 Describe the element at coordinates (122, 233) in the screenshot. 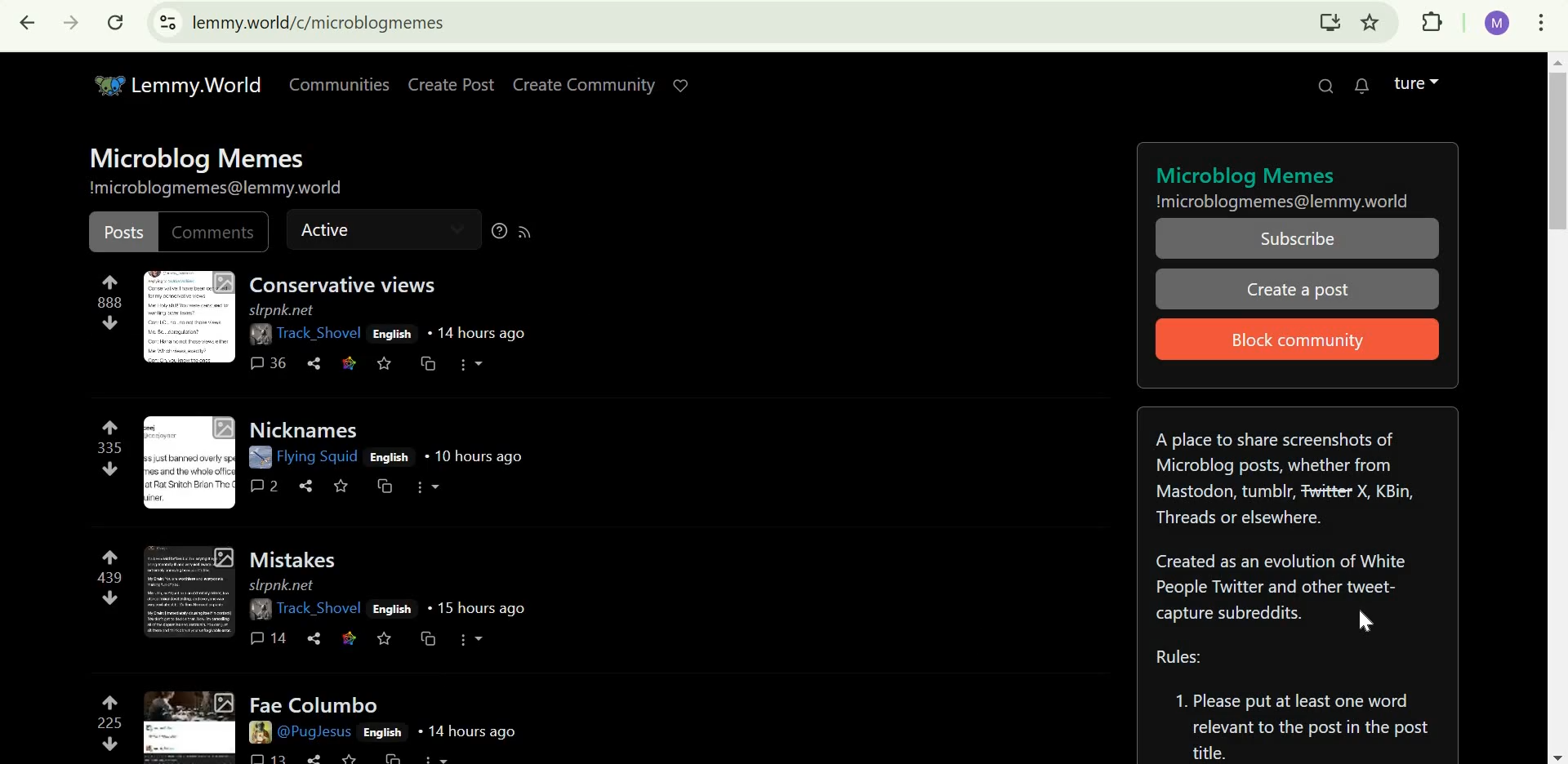

I see `Posts` at that location.